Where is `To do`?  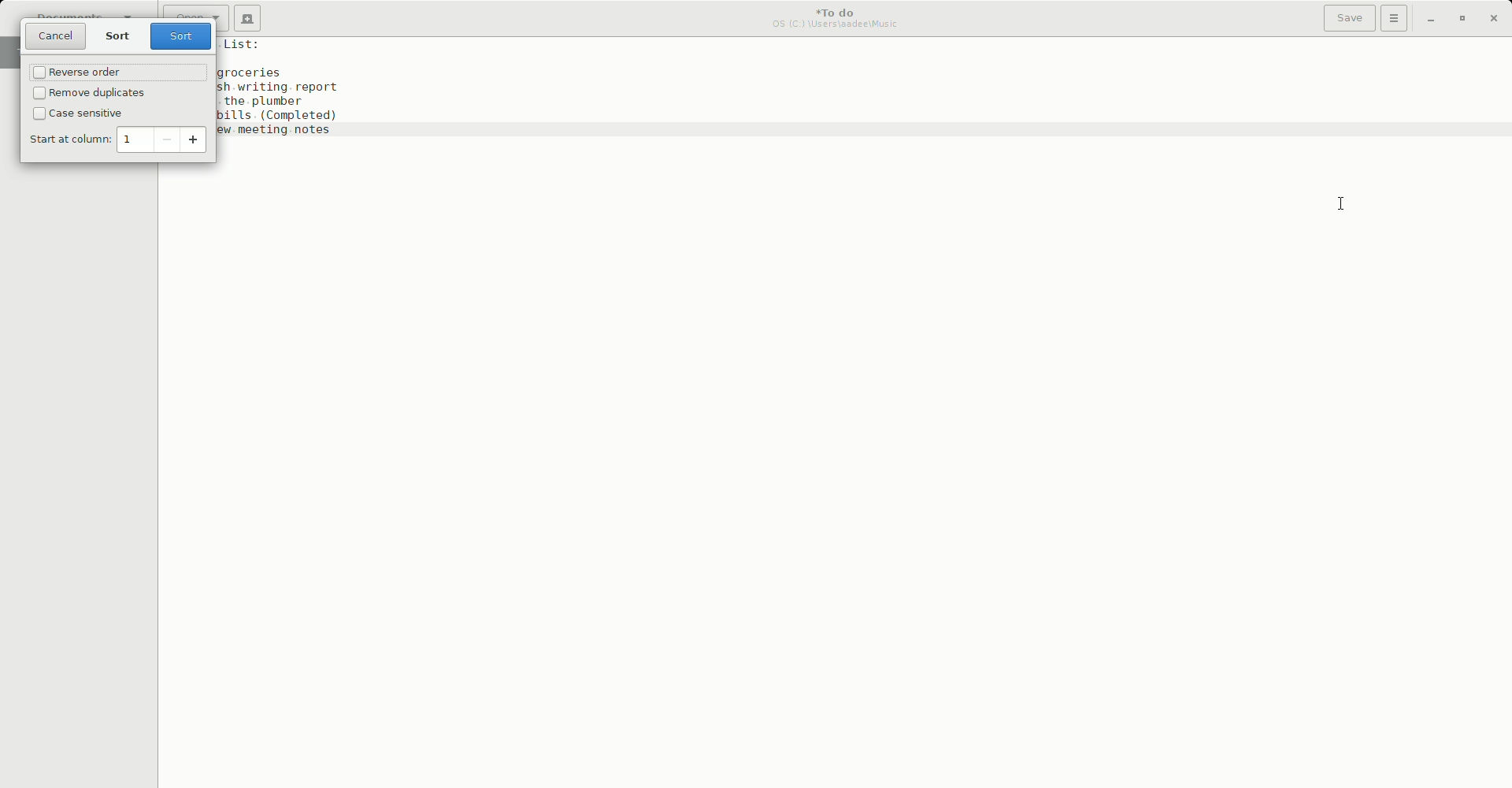
To do is located at coordinates (841, 20).